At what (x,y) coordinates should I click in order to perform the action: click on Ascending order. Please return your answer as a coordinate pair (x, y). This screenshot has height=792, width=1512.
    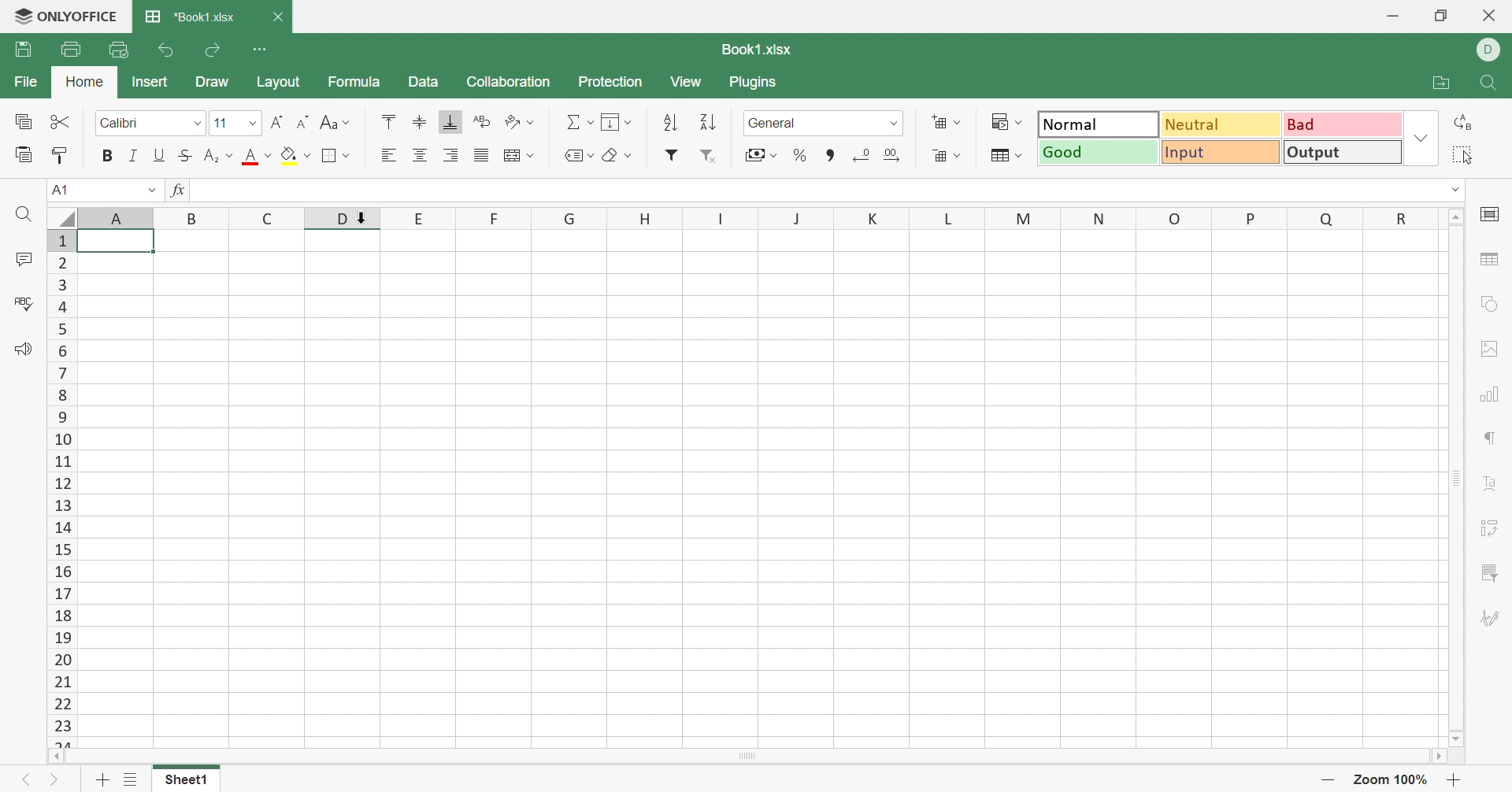
    Looking at the image, I should click on (671, 121).